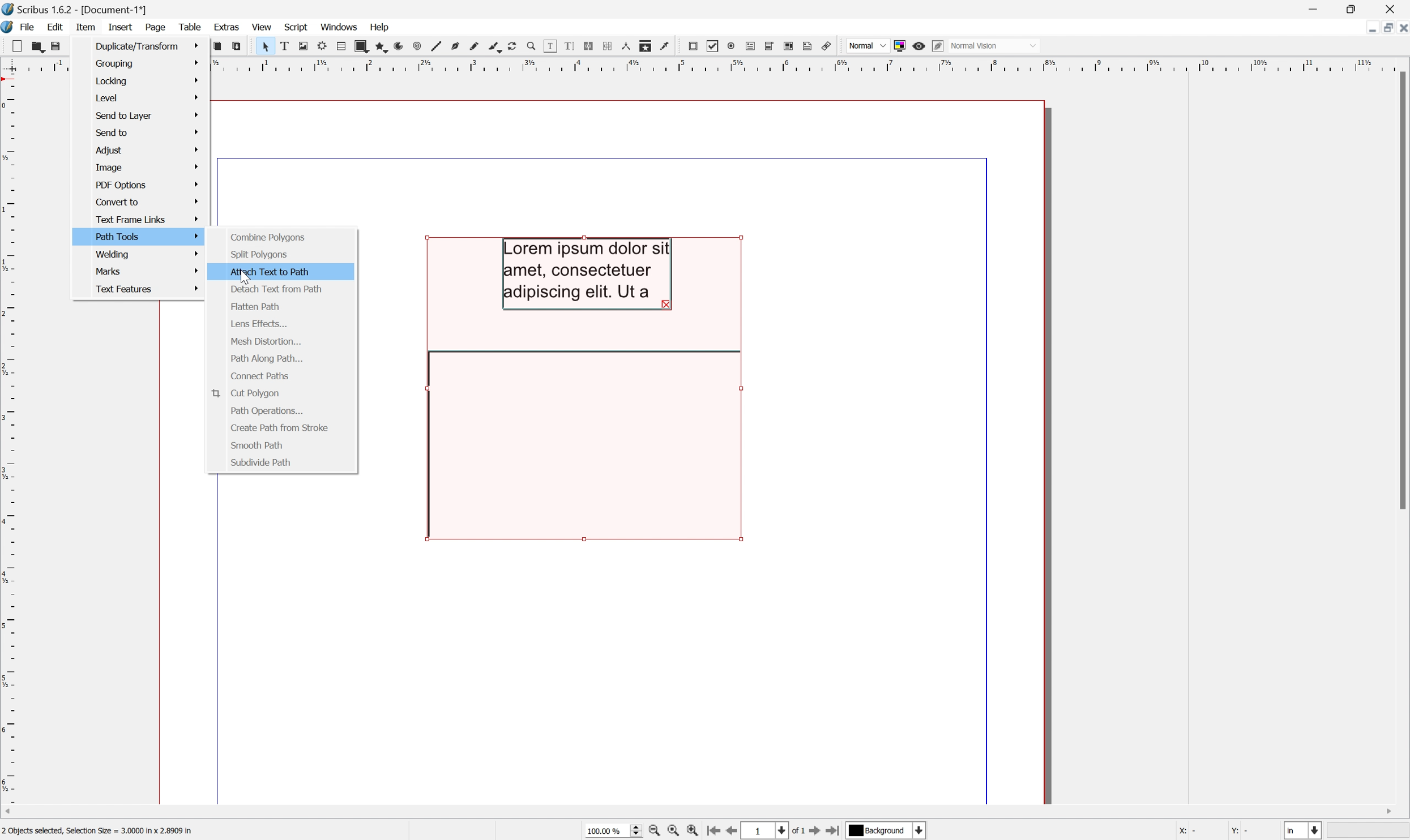  I want to click on Edit contents of frame, so click(549, 45).